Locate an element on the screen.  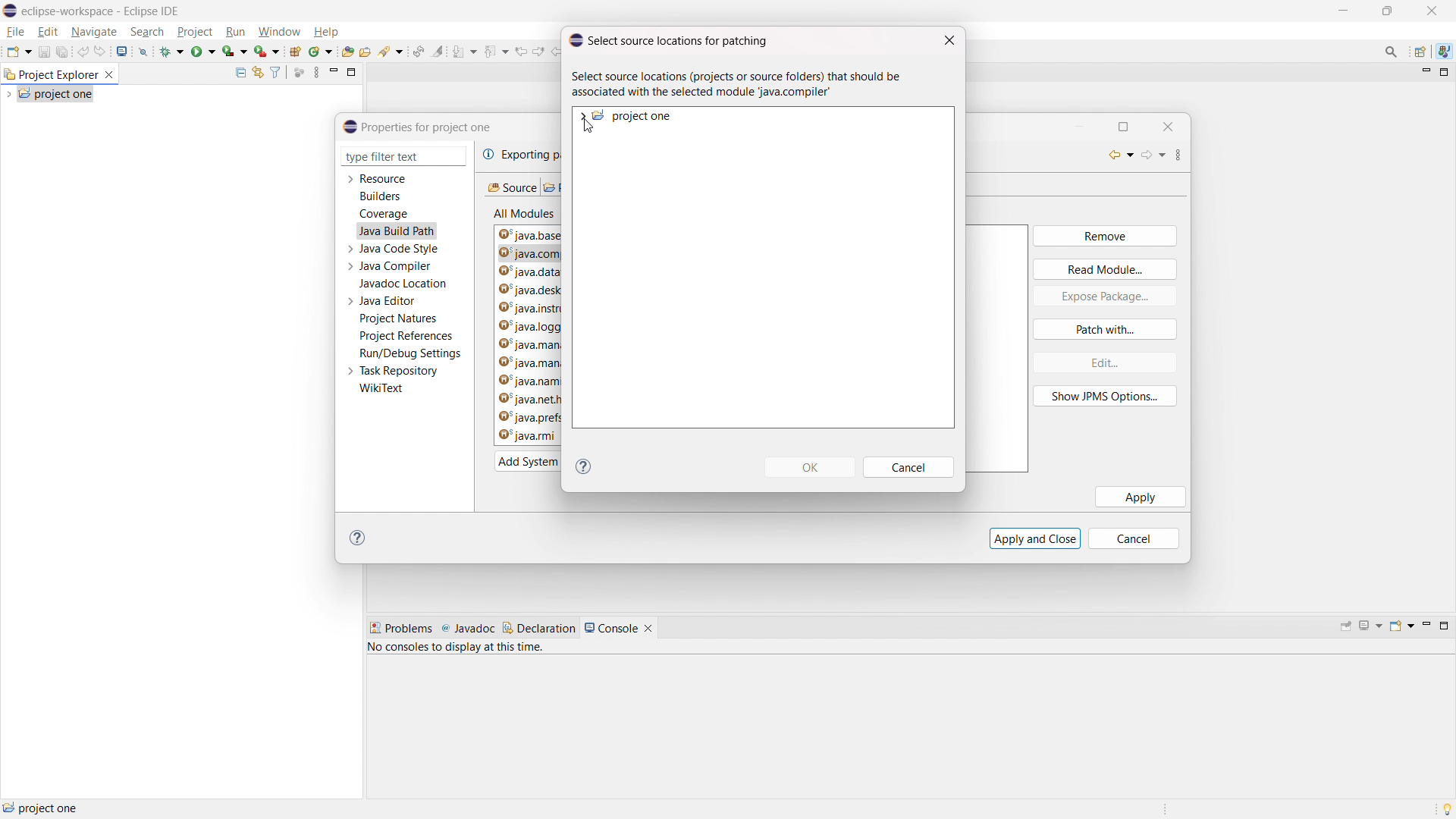
properties for project one is located at coordinates (418, 127).